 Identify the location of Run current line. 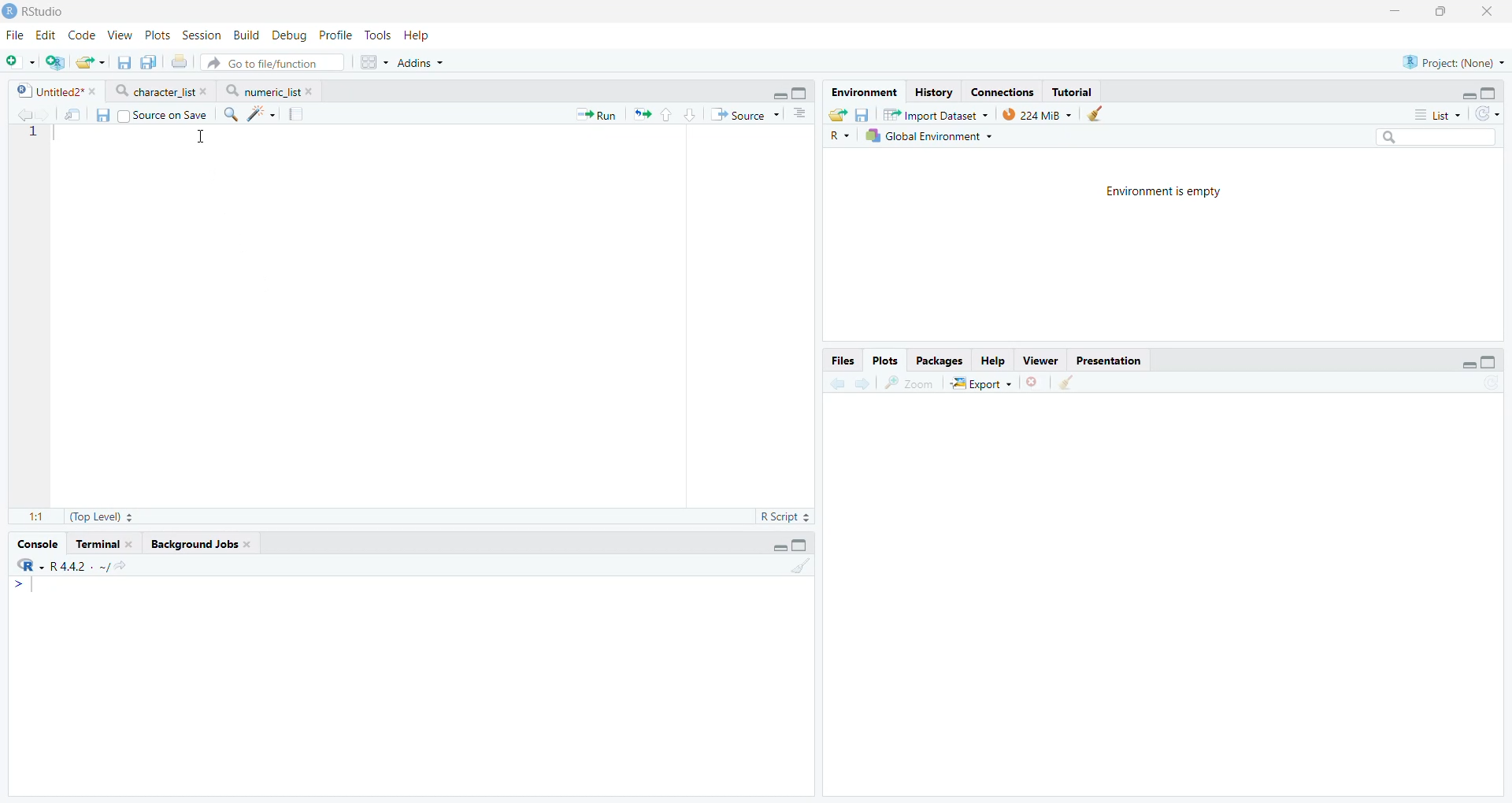
(594, 115).